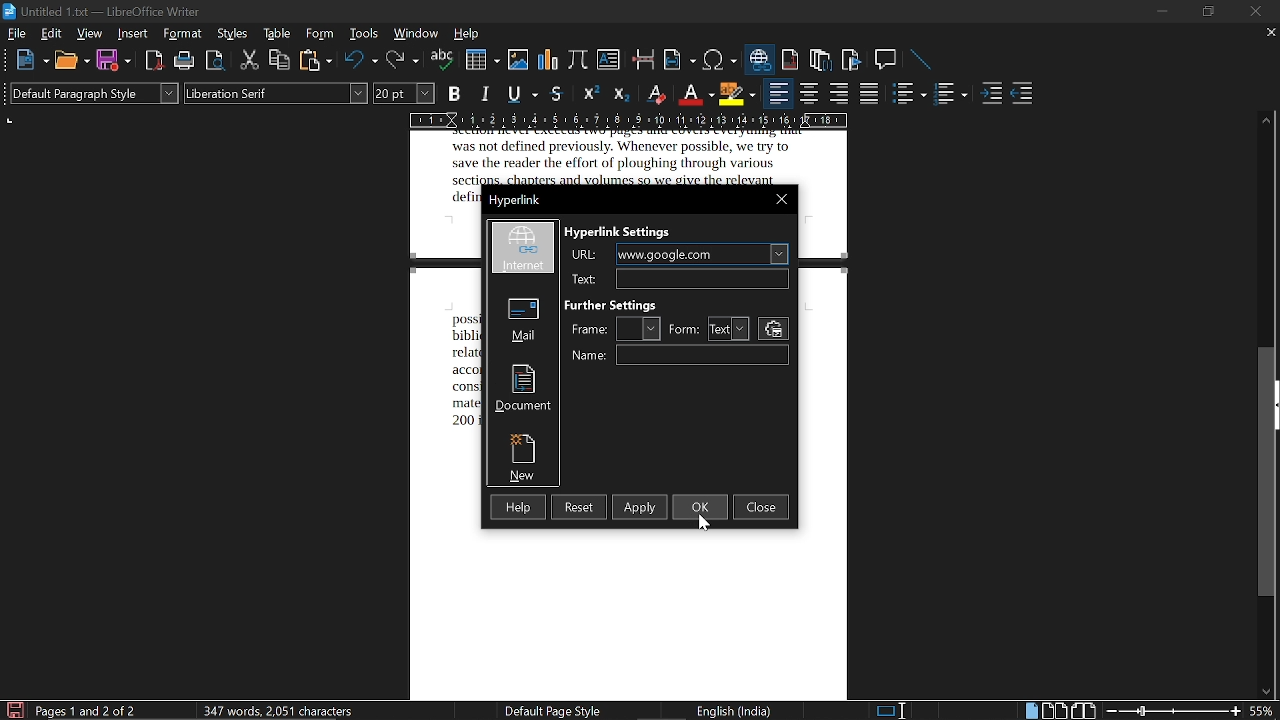 Image resolution: width=1280 pixels, height=720 pixels. I want to click on close, so click(1252, 11).